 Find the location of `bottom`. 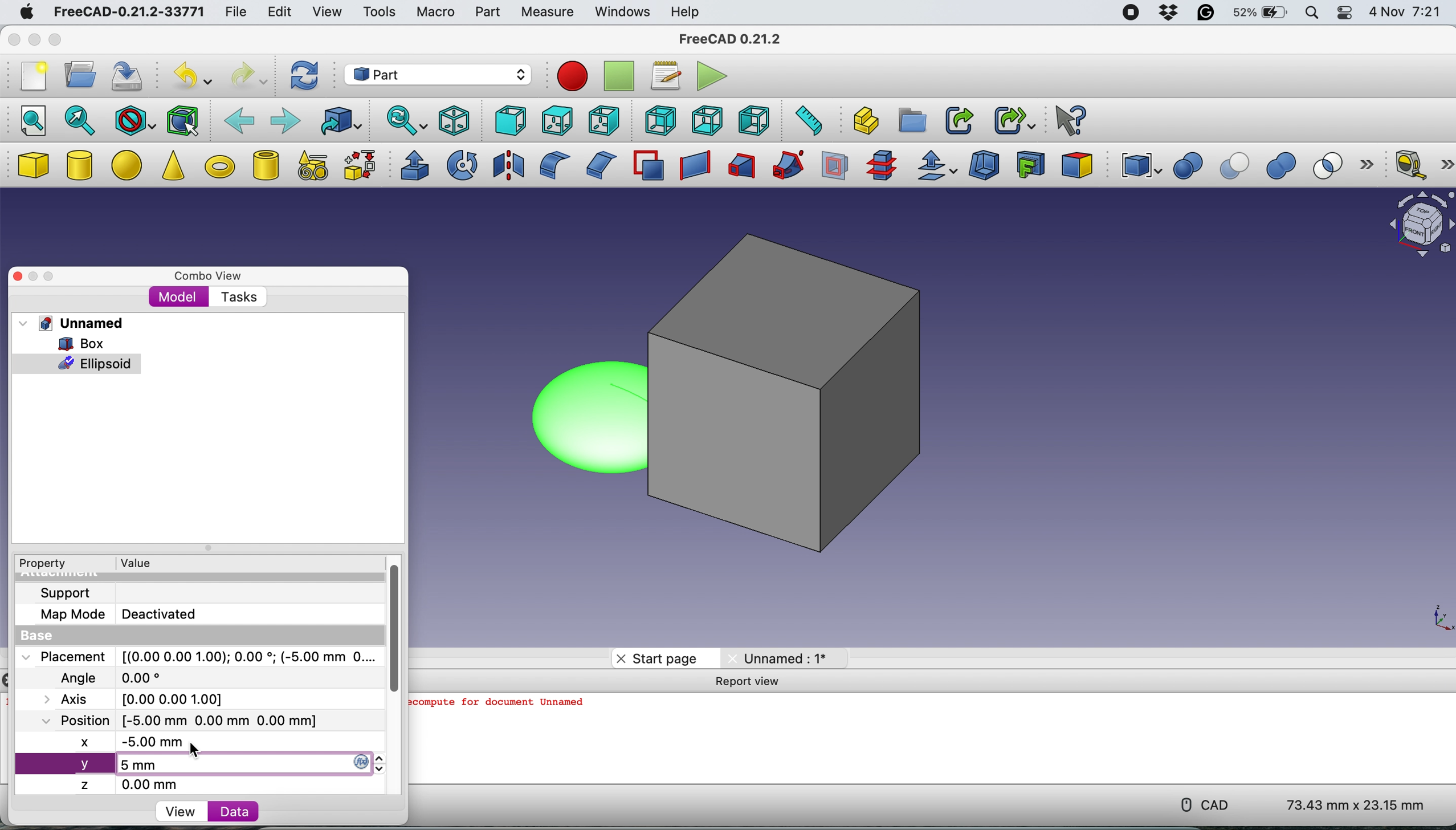

bottom is located at coordinates (708, 121).